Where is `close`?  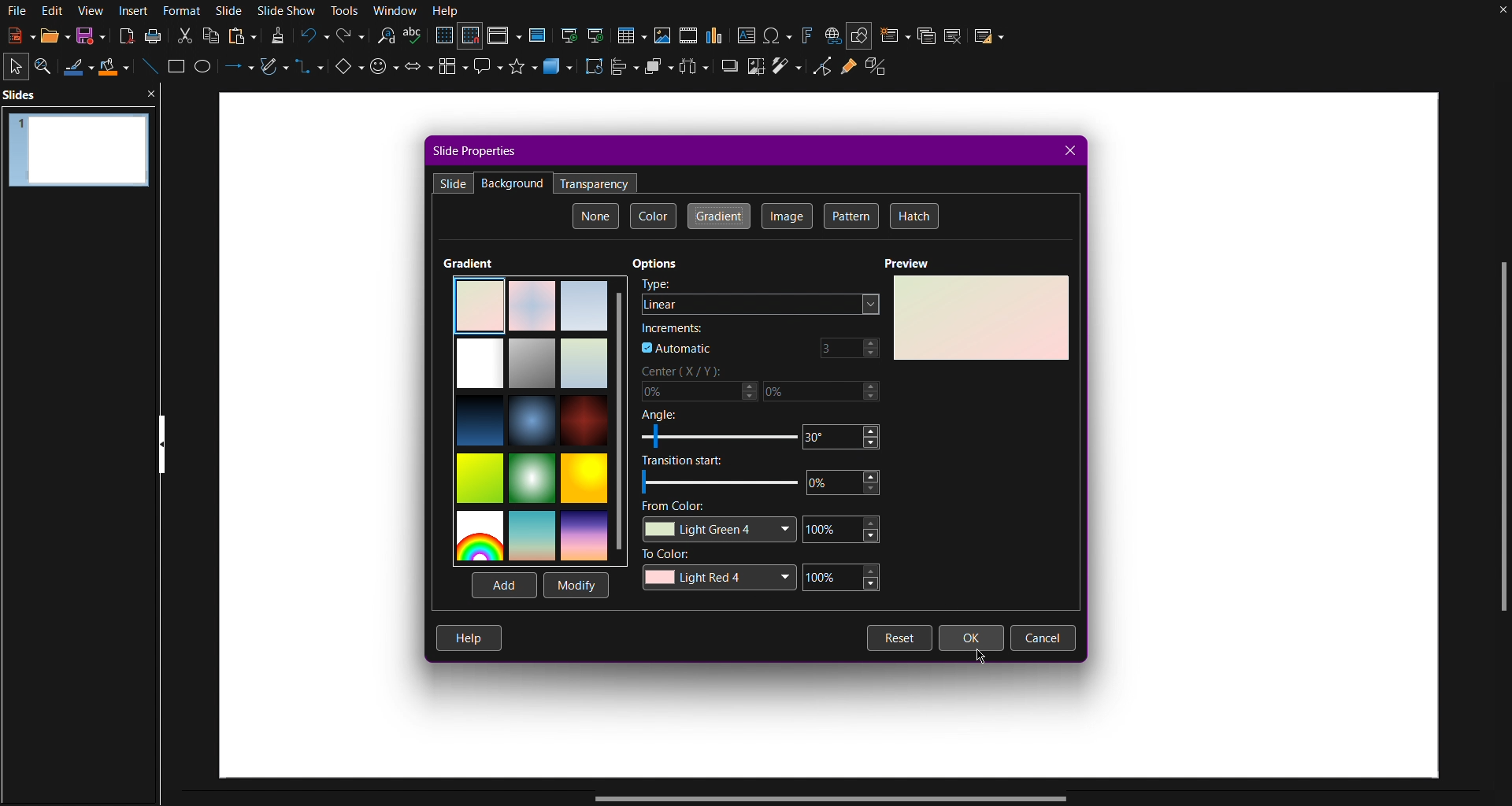
close is located at coordinates (156, 93).